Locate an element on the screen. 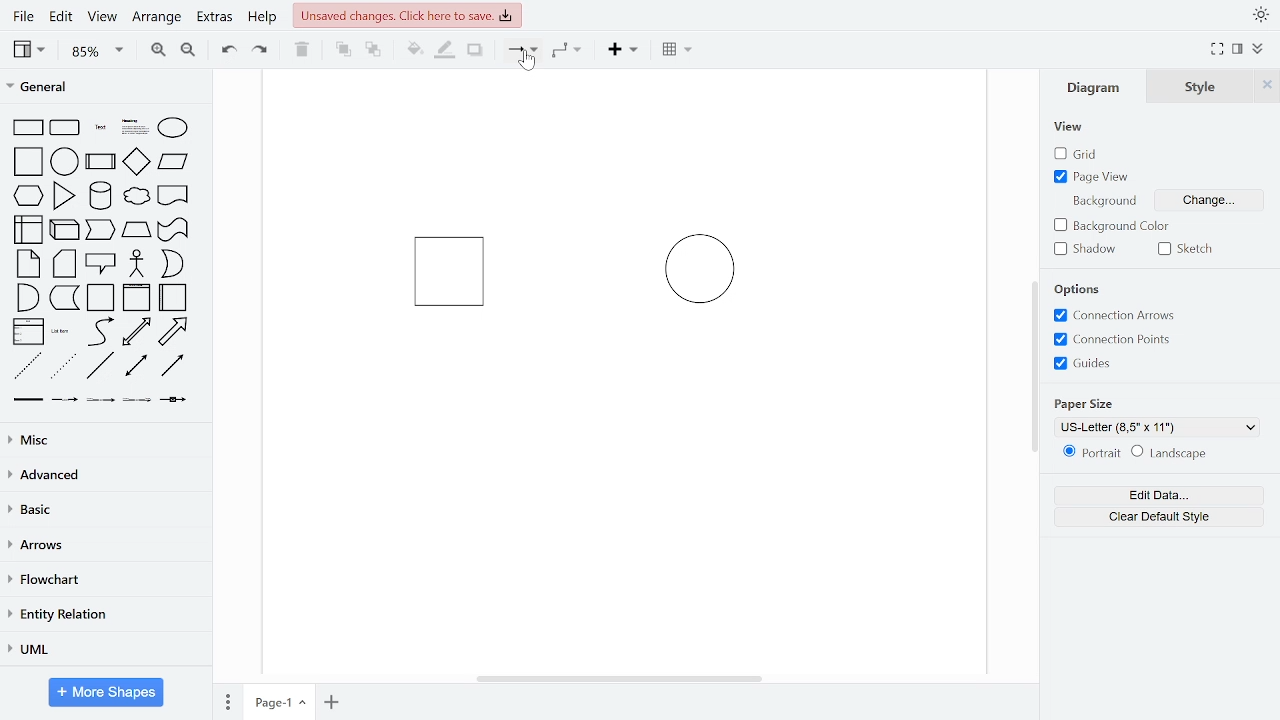 The height and width of the screenshot is (720, 1280). text box is located at coordinates (136, 129).